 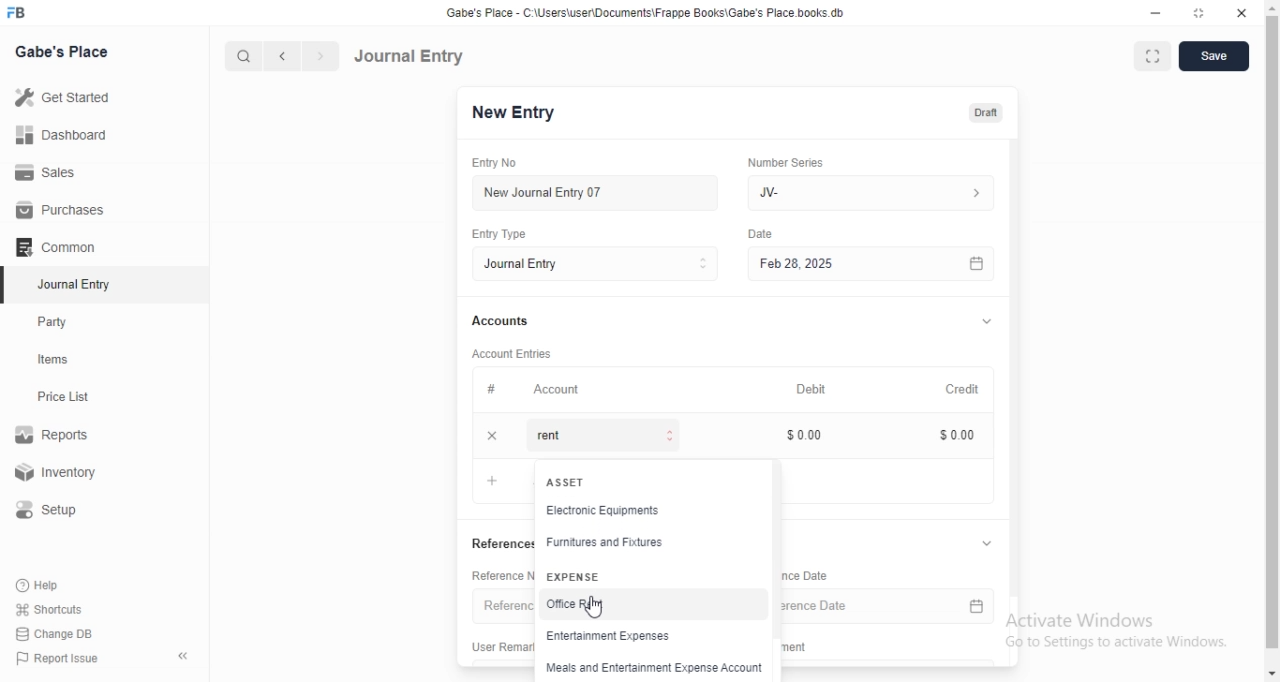 I want to click on Setup, so click(x=54, y=510).